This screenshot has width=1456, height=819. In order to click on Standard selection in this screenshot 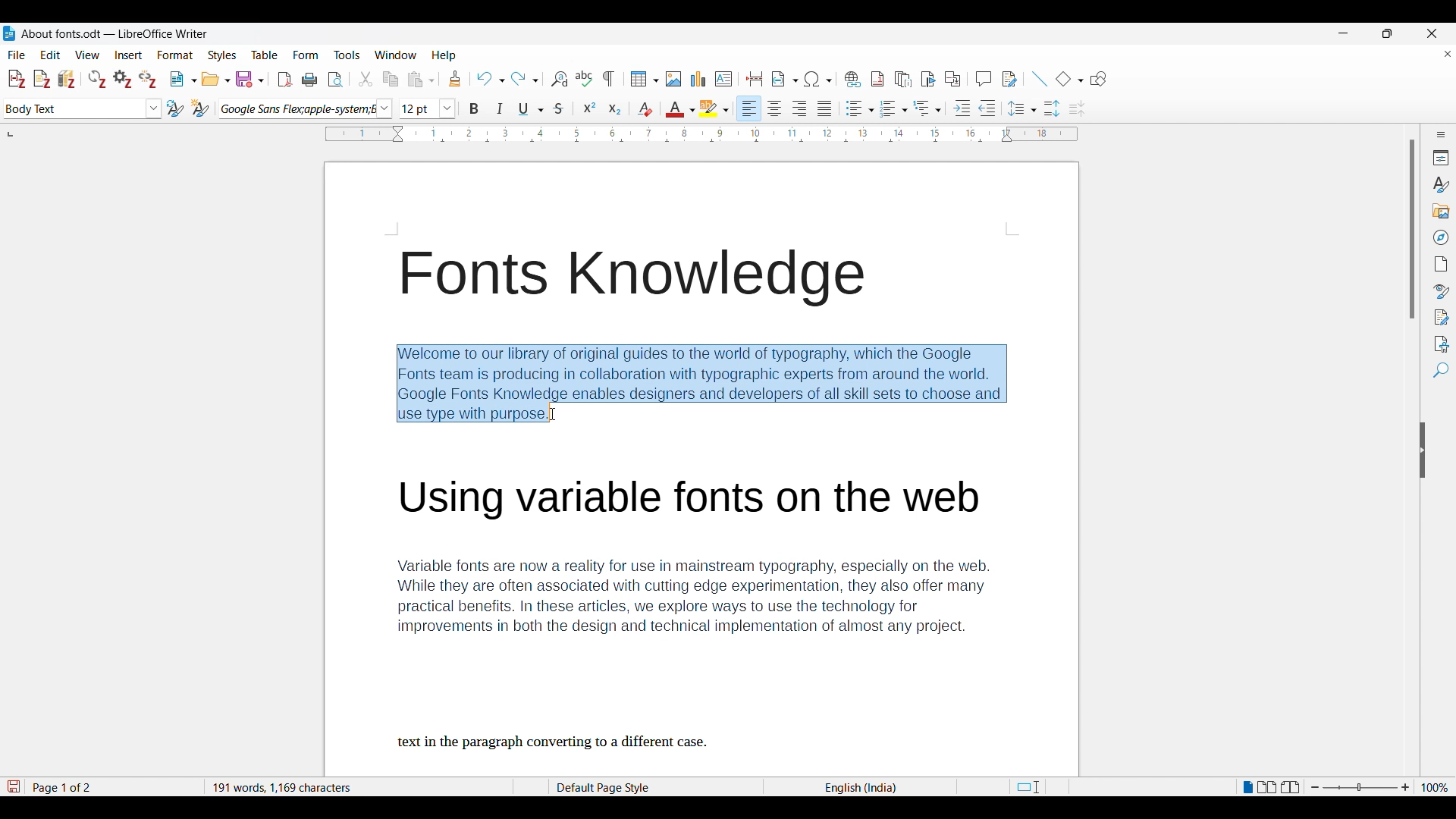, I will do `click(1027, 787)`.